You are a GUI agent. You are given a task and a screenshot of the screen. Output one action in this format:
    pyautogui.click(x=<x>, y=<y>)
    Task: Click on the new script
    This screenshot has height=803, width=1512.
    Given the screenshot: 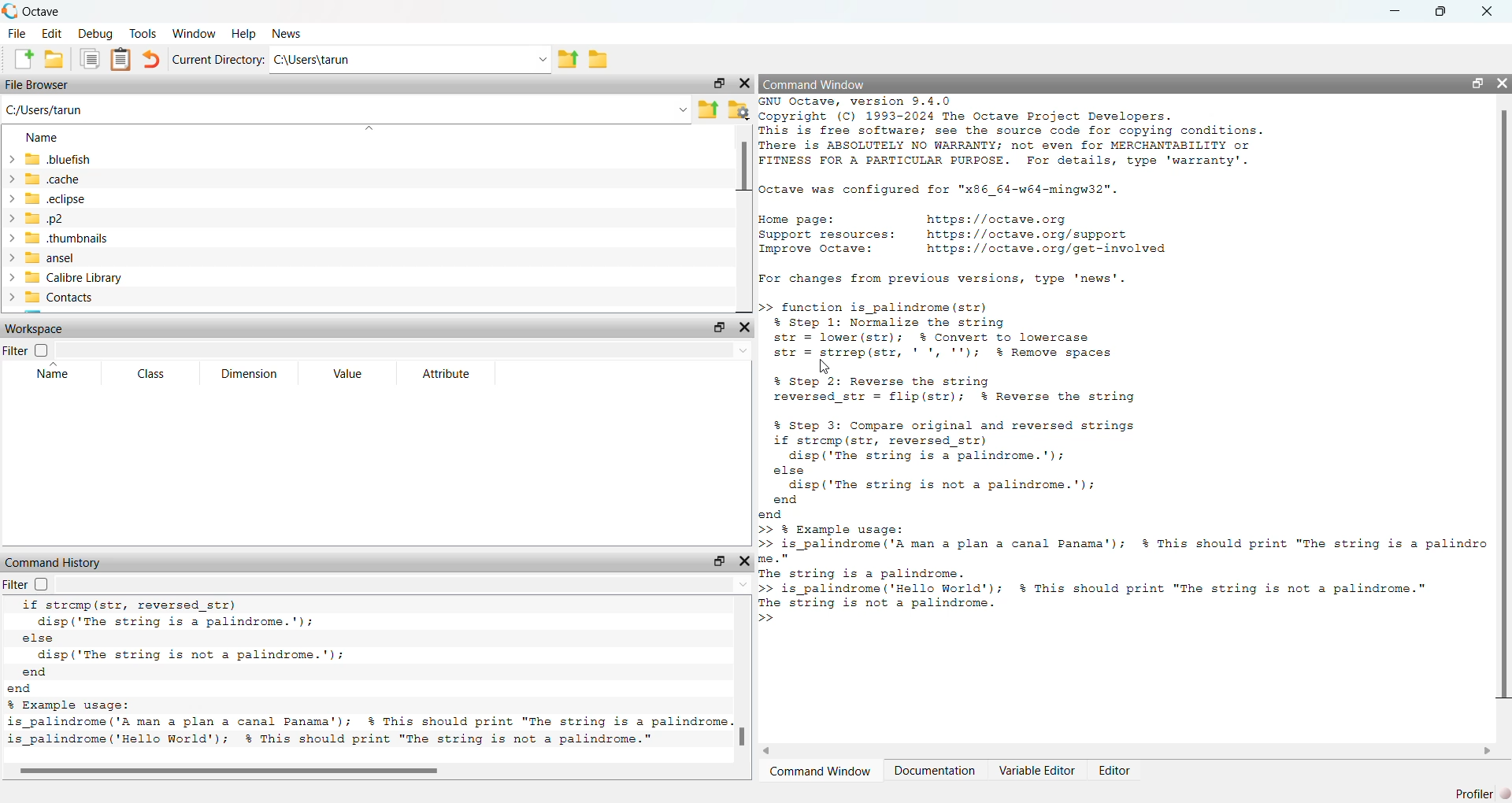 What is the action you would take?
    pyautogui.click(x=18, y=58)
    